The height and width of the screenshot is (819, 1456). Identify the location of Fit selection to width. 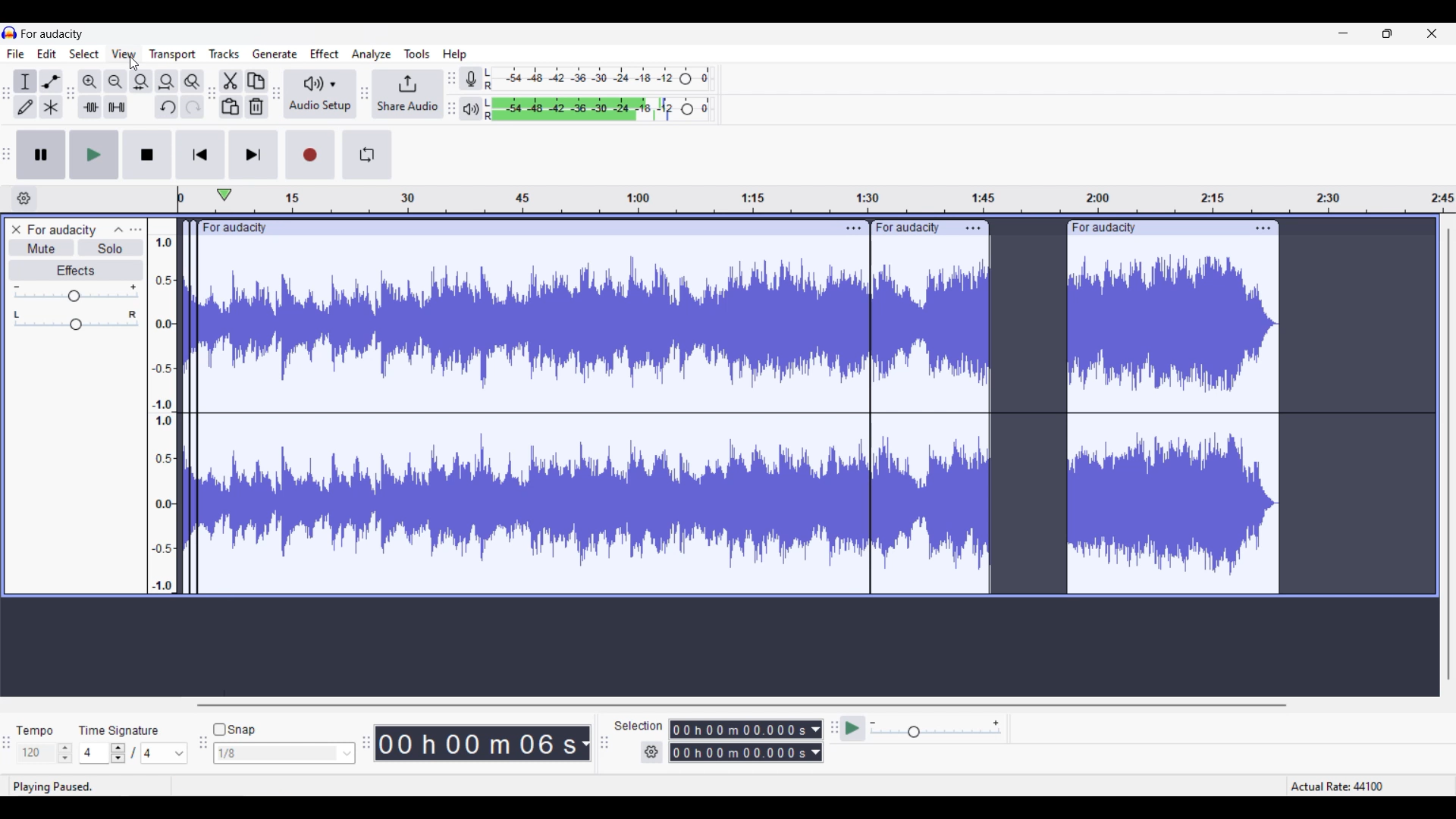
(141, 82).